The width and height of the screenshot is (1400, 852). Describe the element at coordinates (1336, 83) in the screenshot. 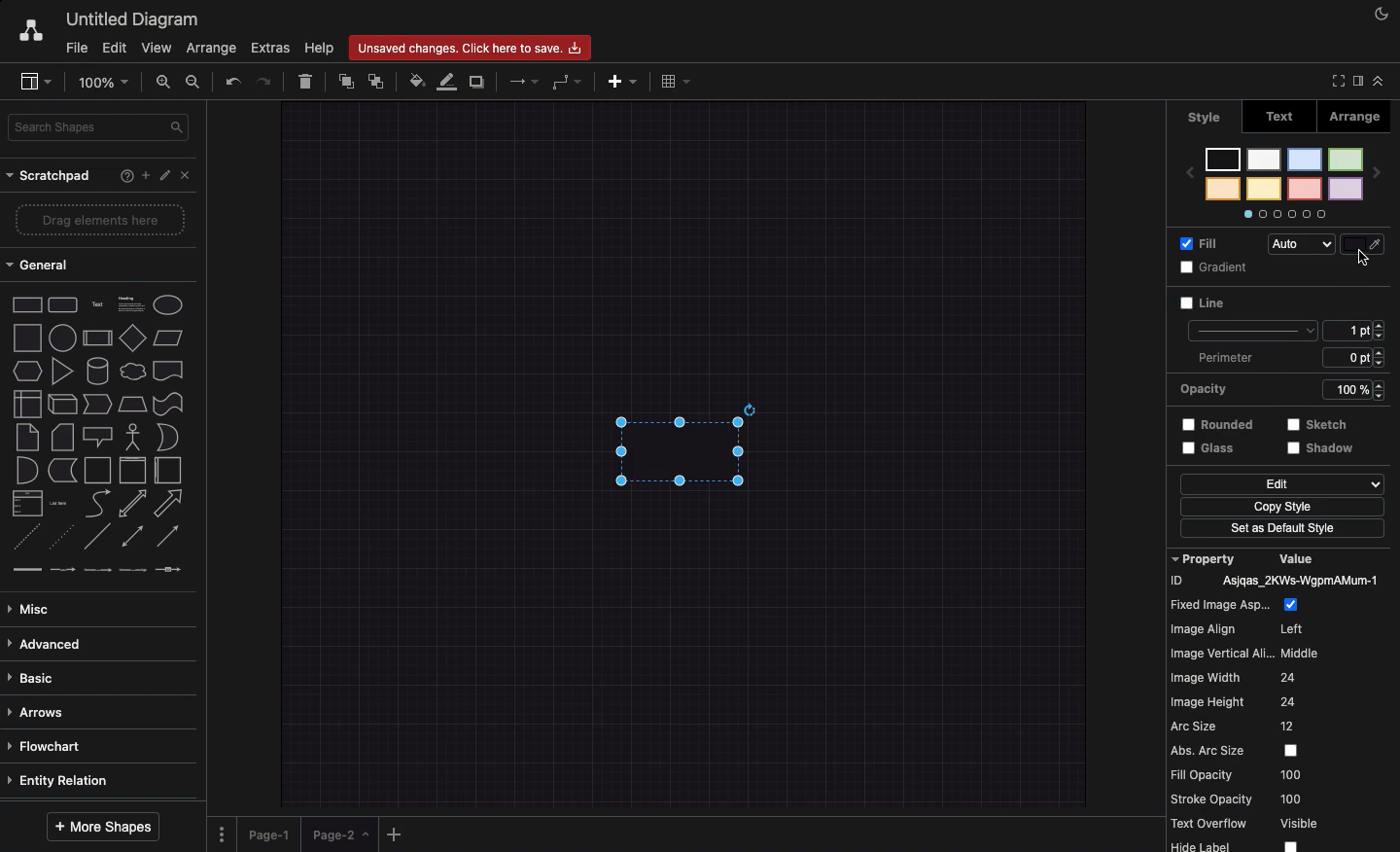

I see `Full screen` at that location.